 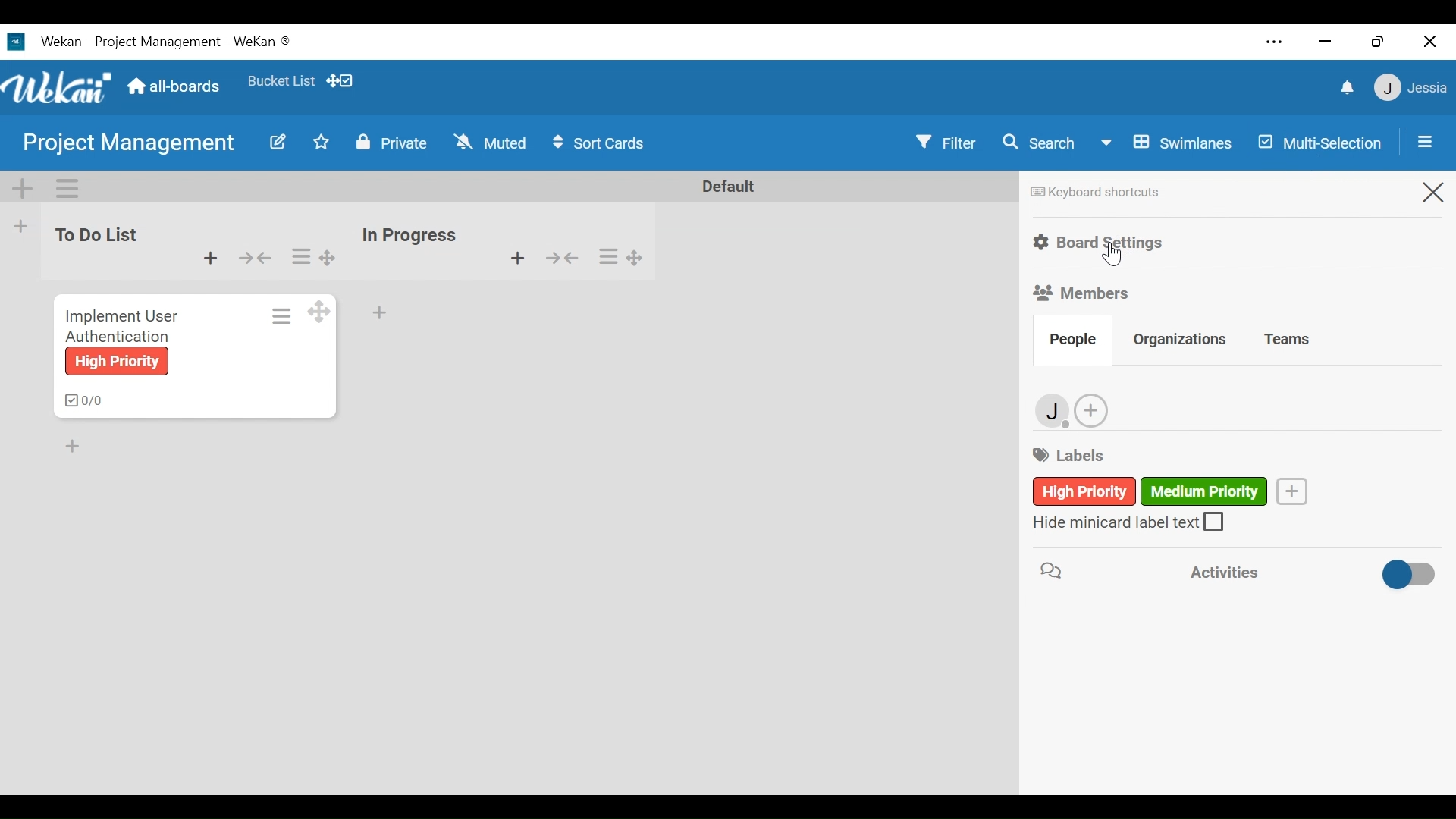 What do you see at coordinates (1219, 571) in the screenshot?
I see ` Activities` at bounding box center [1219, 571].